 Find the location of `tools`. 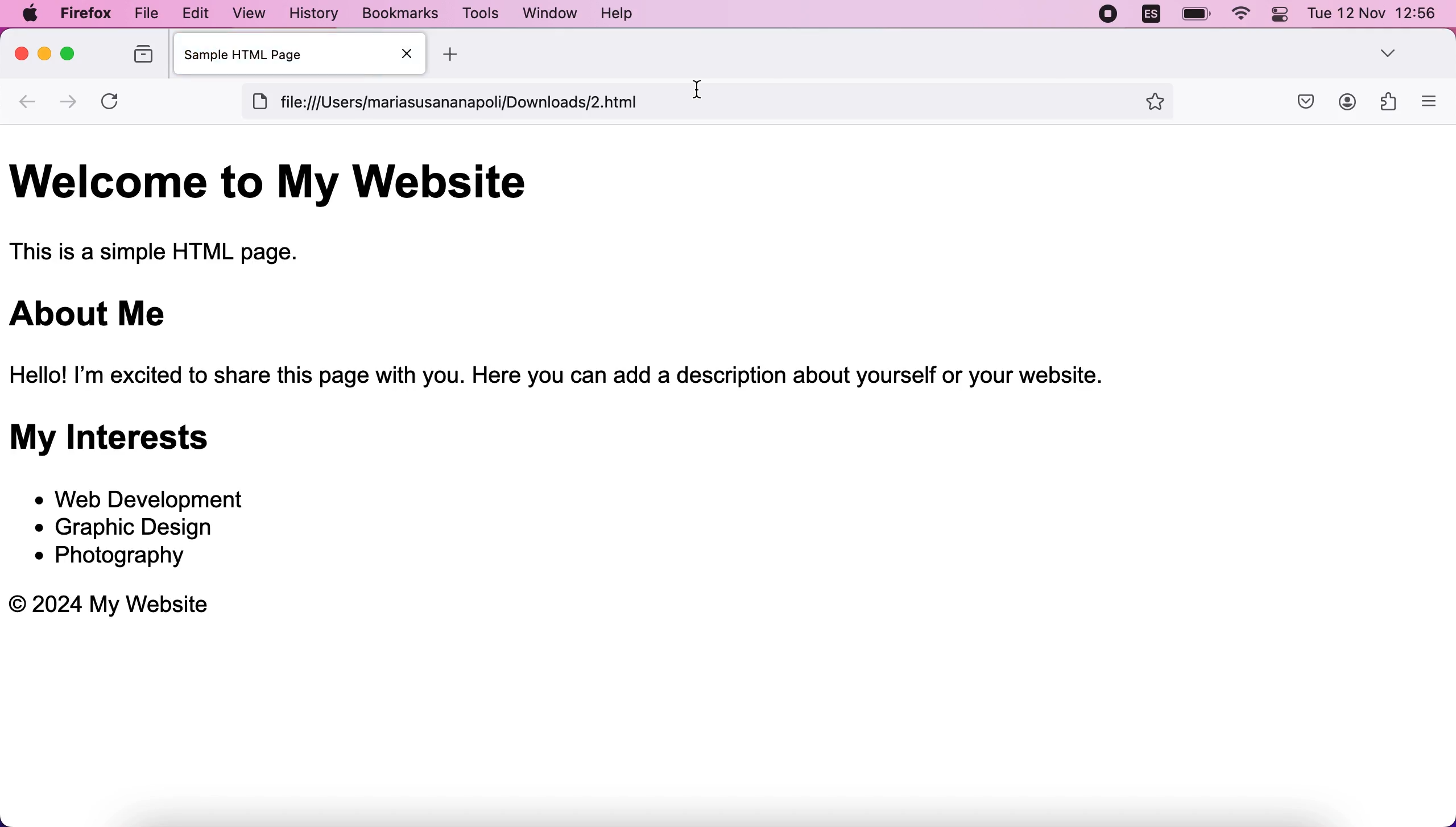

tools is located at coordinates (479, 13).